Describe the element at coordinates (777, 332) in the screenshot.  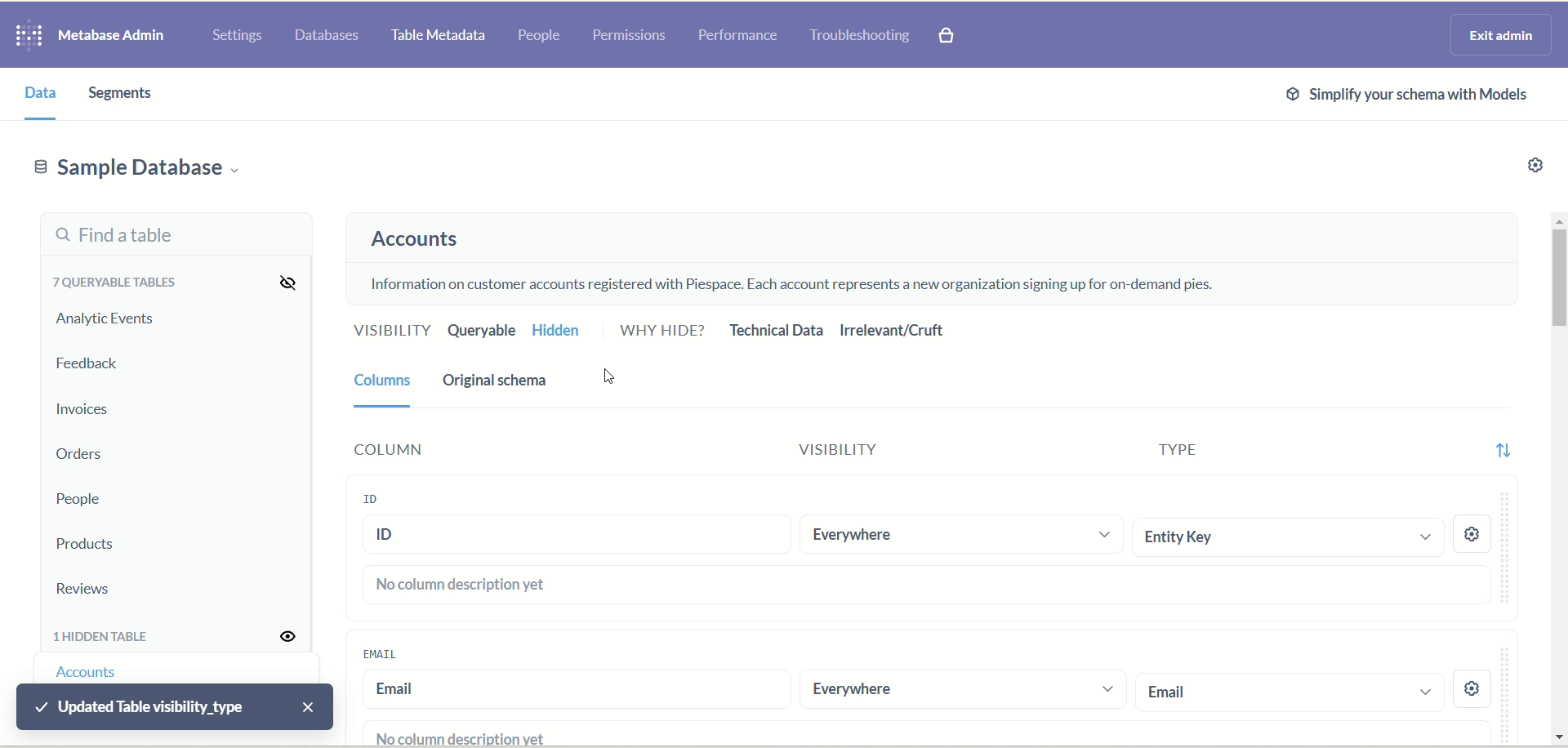
I see `technical data` at that location.